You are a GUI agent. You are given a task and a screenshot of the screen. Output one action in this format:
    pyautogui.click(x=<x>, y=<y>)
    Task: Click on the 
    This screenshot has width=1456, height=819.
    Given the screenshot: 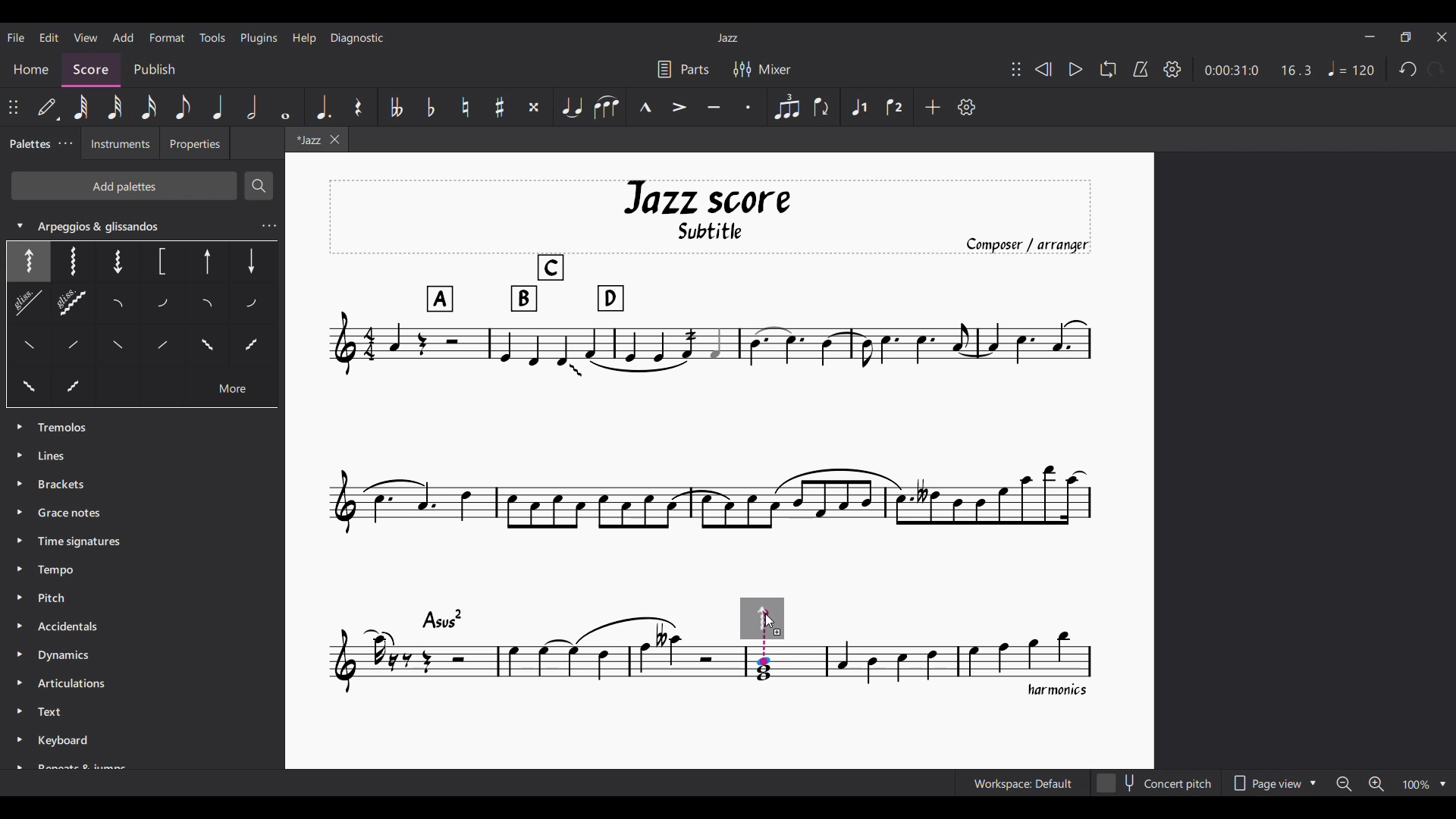 What is the action you would take?
    pyautogui.click(x=161, y=306)
    